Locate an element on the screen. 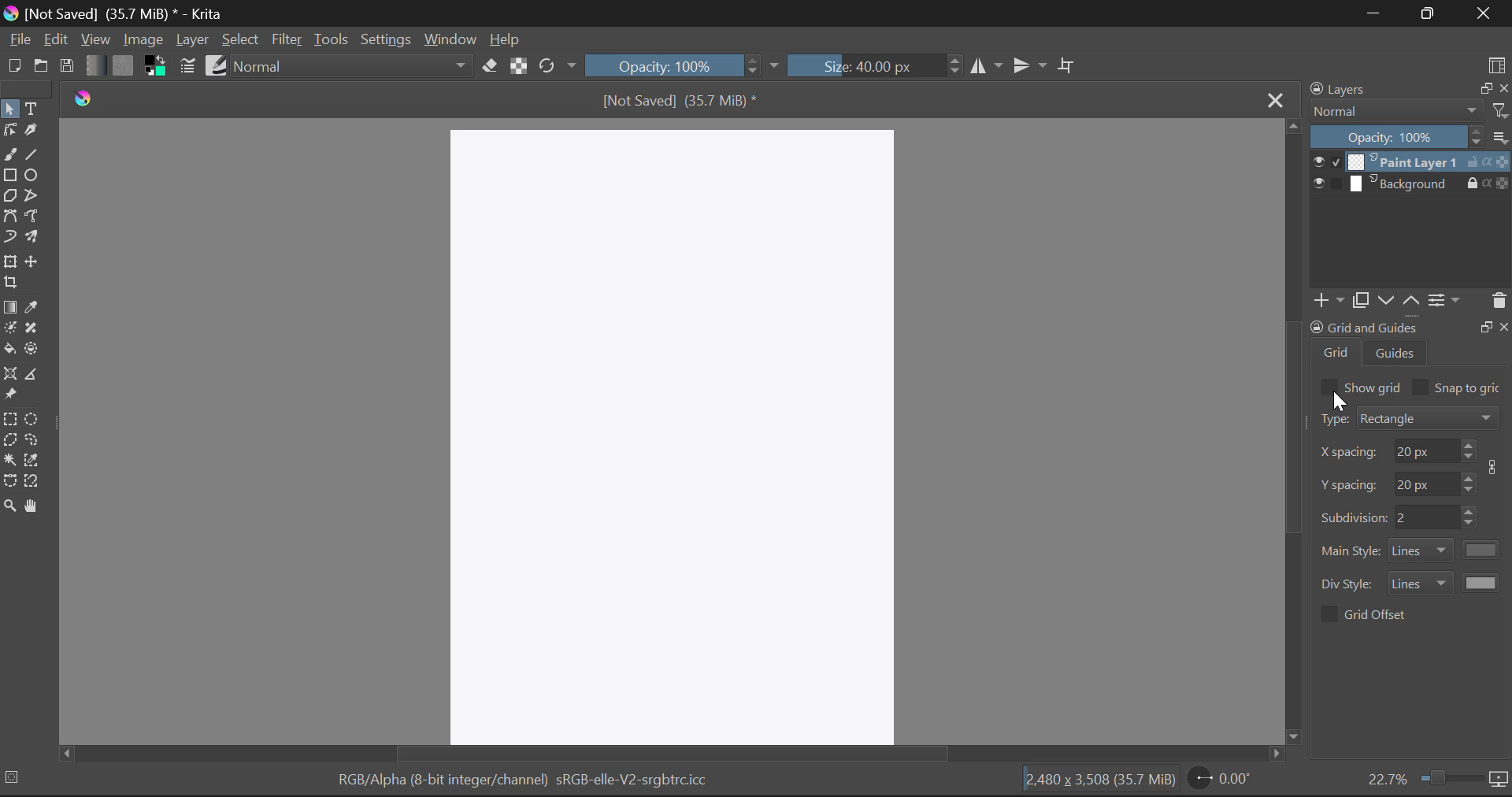  settings is located at coordinates (1444, 299).